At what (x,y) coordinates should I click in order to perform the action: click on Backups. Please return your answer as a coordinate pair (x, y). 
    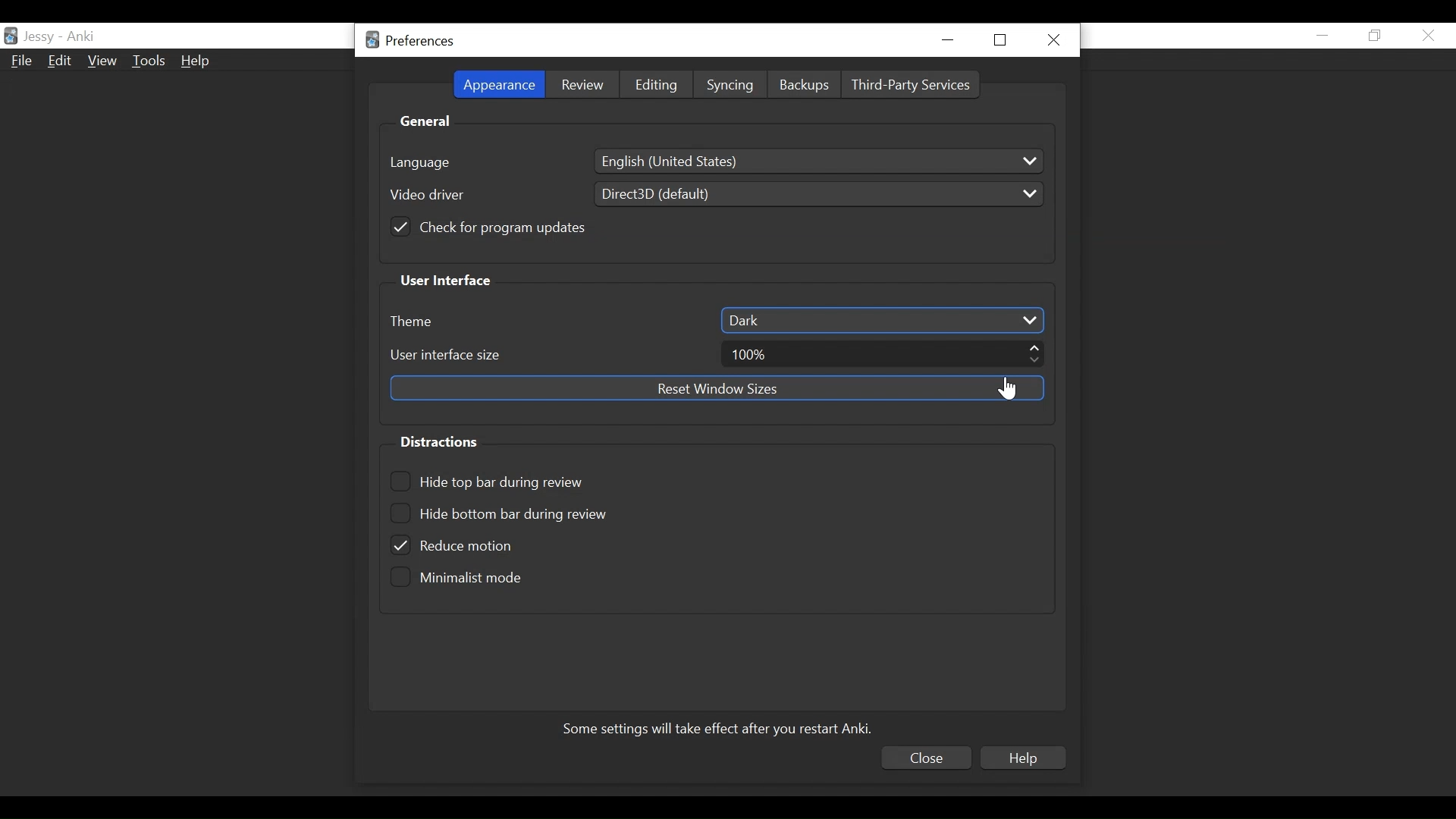
    Looking at the image, I should click on (806, 86).